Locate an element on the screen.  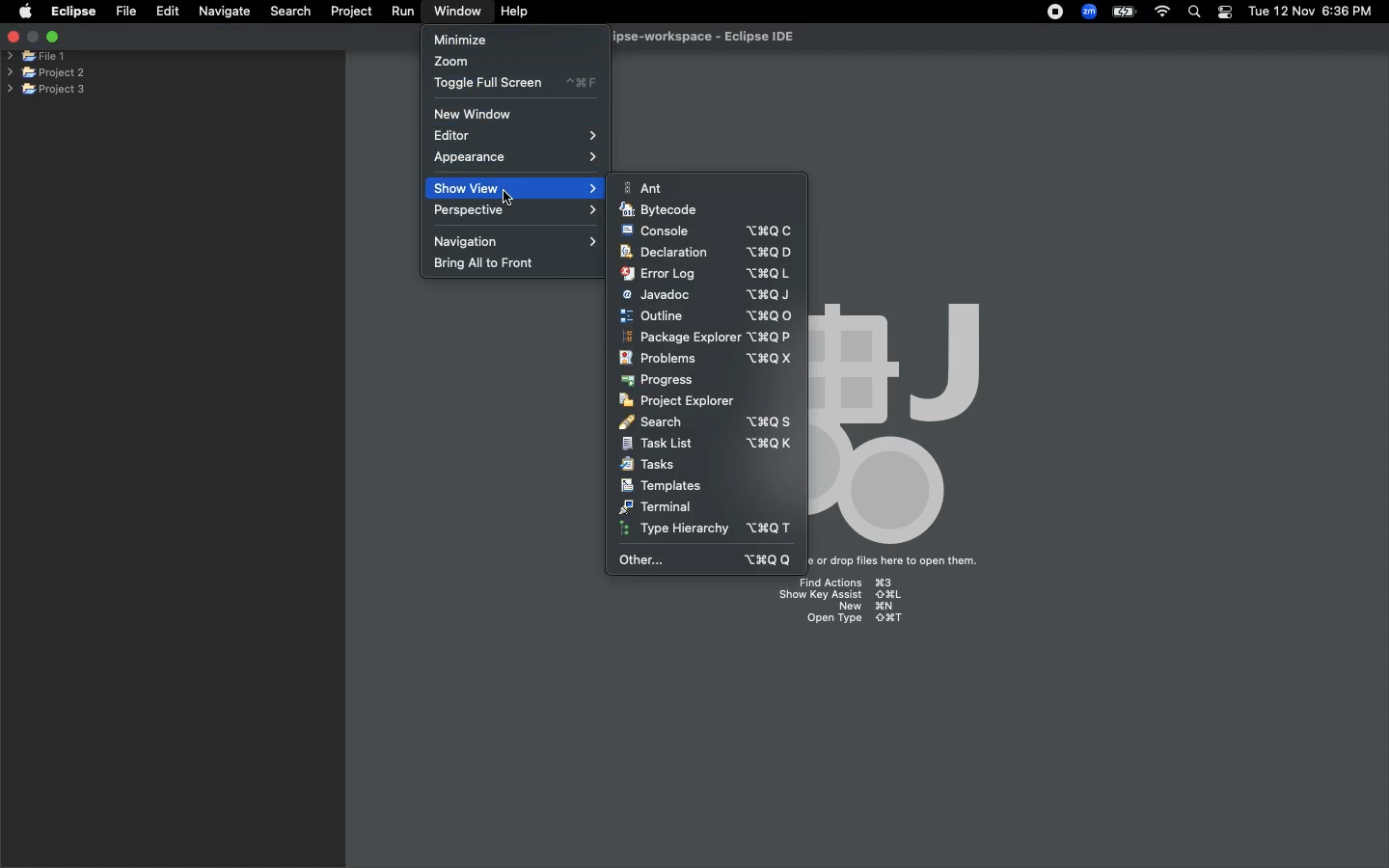
Package explorer is located at coordinates (706, 338).